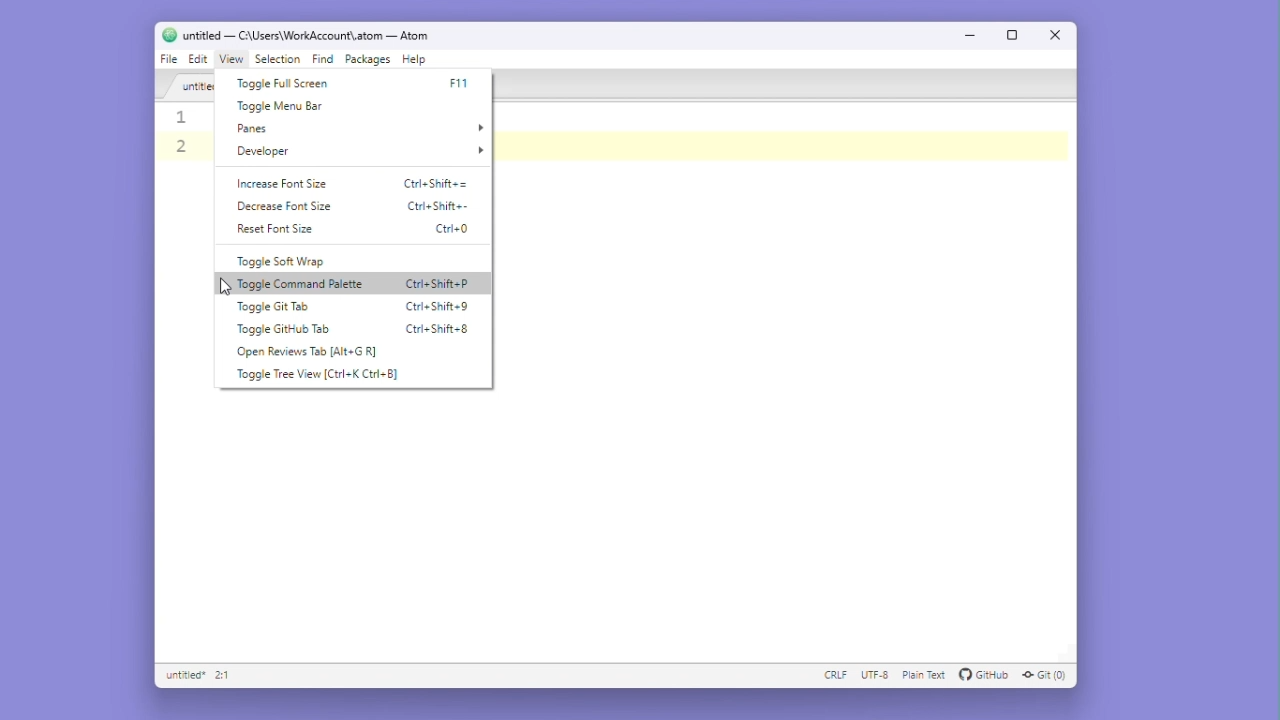 The width and height of the screenshot is (1280, 720). What do you see at coordinates (460, 84) in the screenshot?
I see `F11` at bounding box center [460, 84].